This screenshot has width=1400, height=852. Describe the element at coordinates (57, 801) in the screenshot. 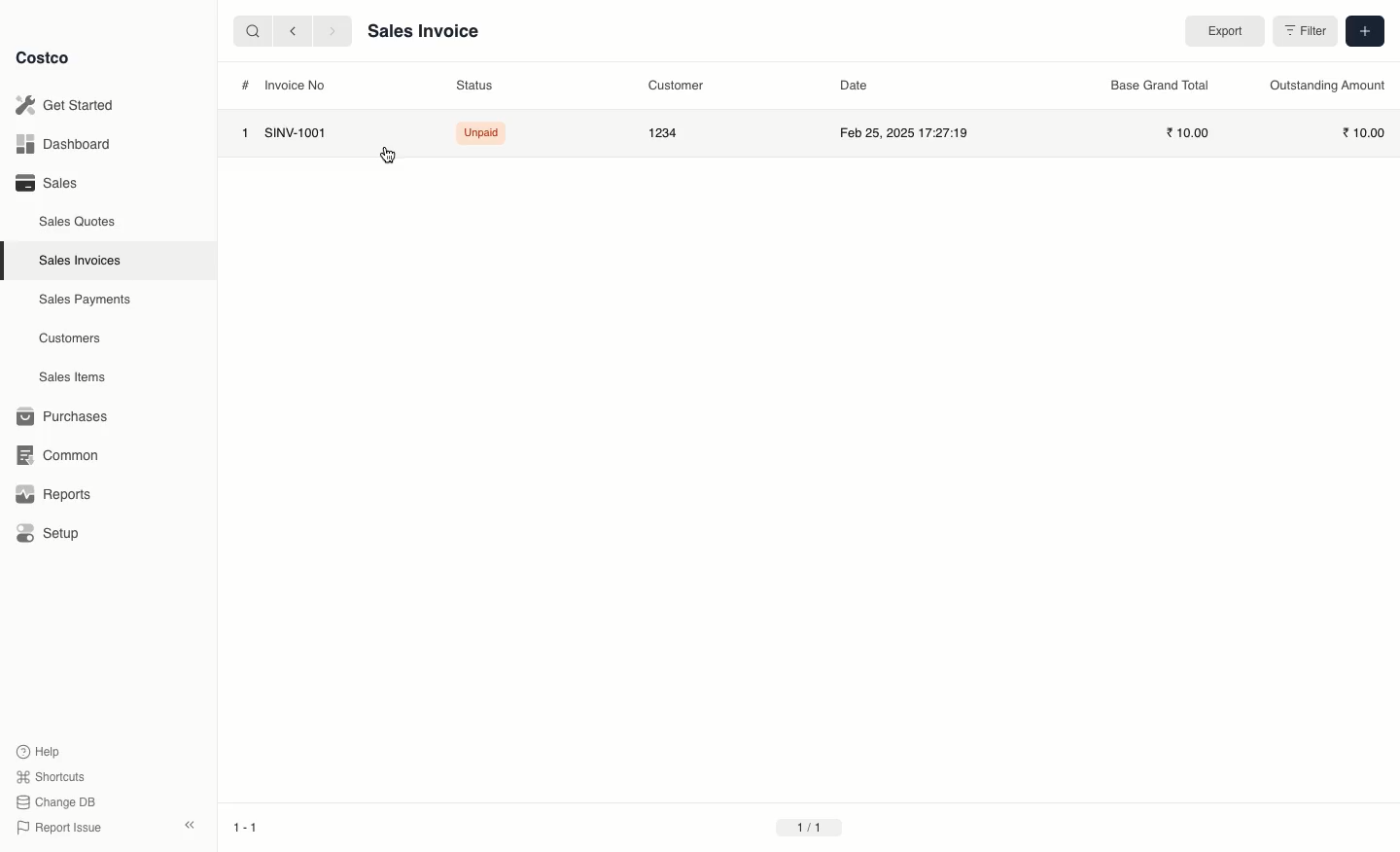

I see `Change DB` at that location.